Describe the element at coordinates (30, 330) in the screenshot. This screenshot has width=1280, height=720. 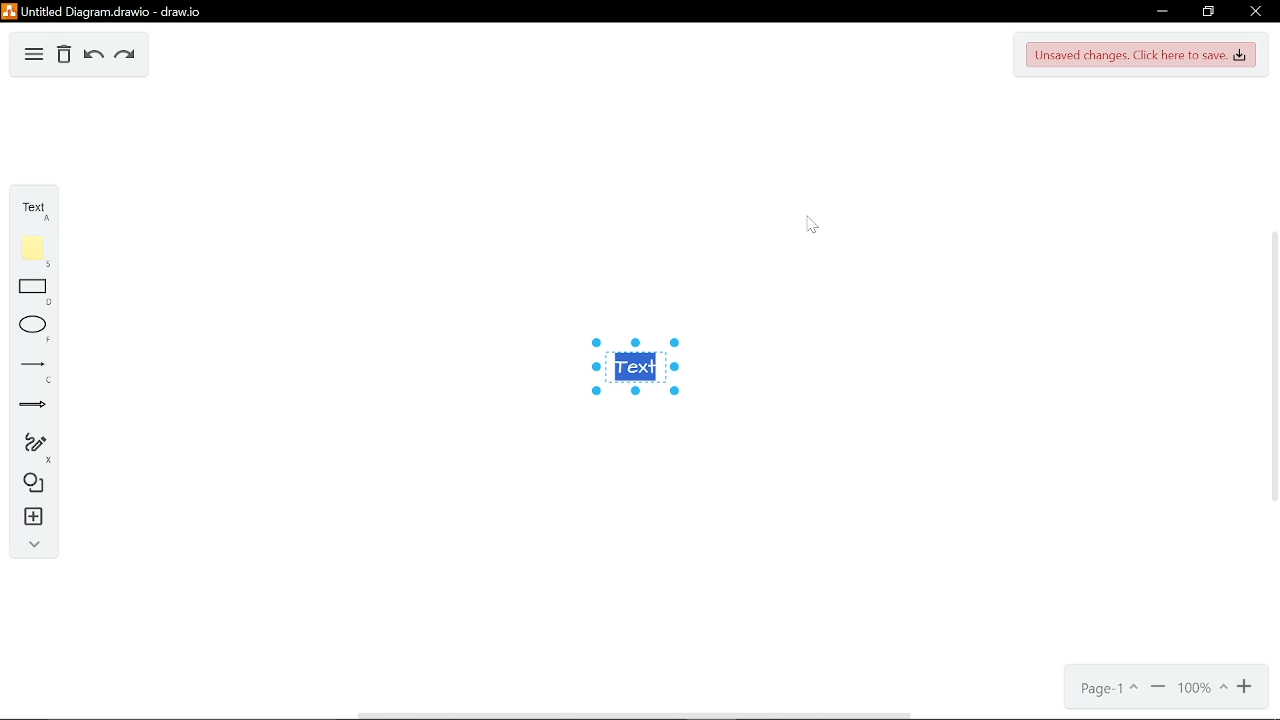
I see `Ellipse` at that location.